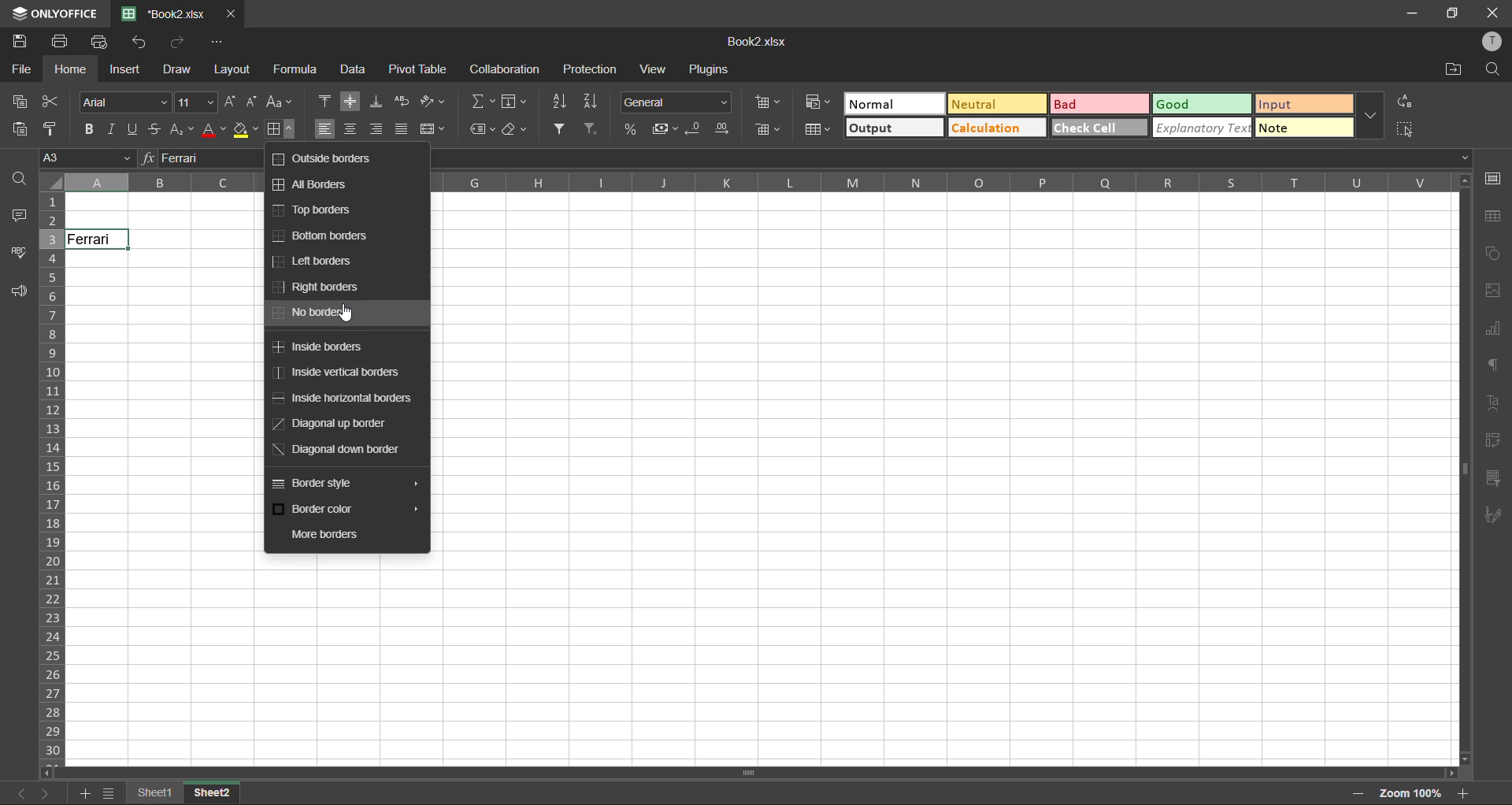 The width and height of the screenshot is (1512, 805). Describe the element at coordinates (350, 101) in the screenshot. I see `align middle` at that location.